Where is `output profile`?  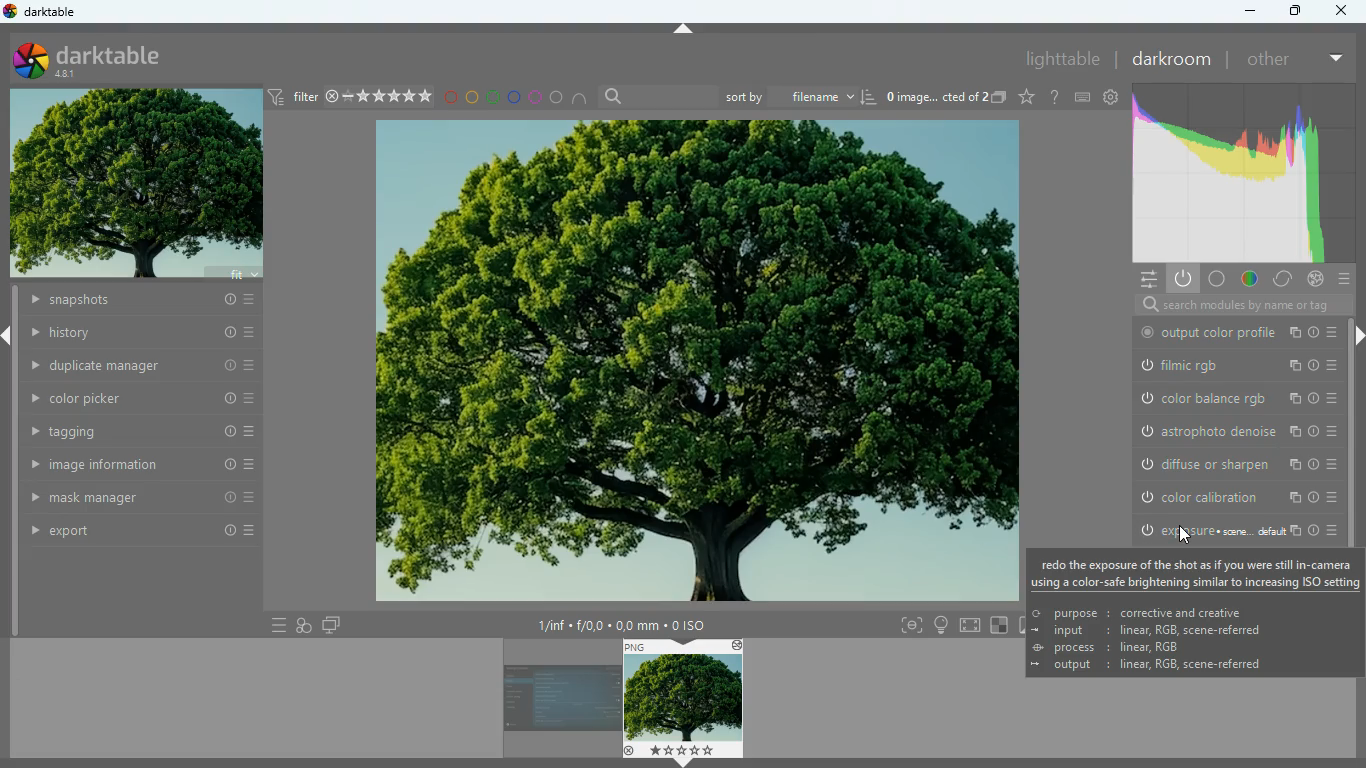 output profile is located at coordinates (1236, 333).